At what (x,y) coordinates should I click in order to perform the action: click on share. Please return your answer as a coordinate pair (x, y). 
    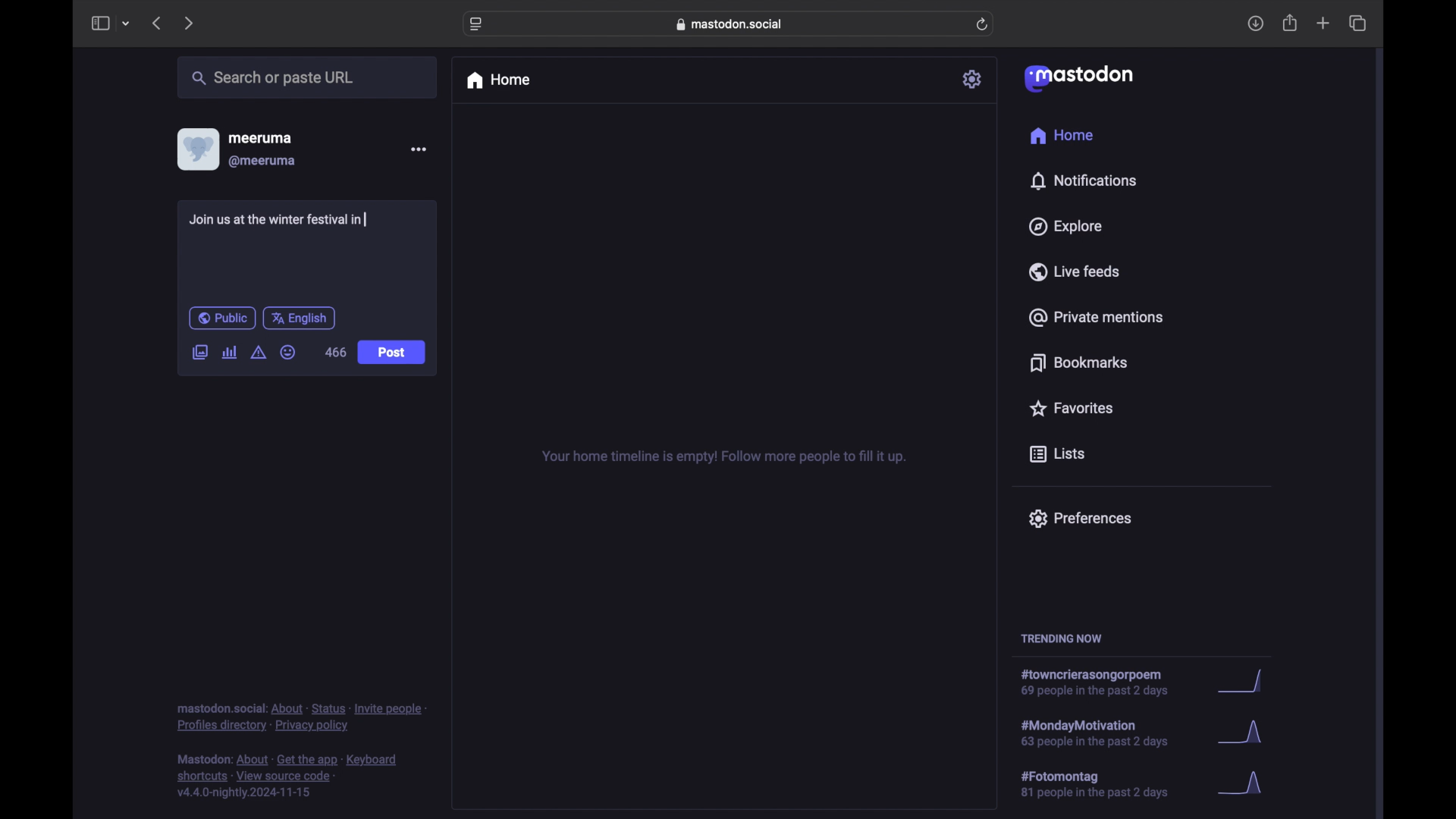
    Looking at the image, I should click on (1291, 24).